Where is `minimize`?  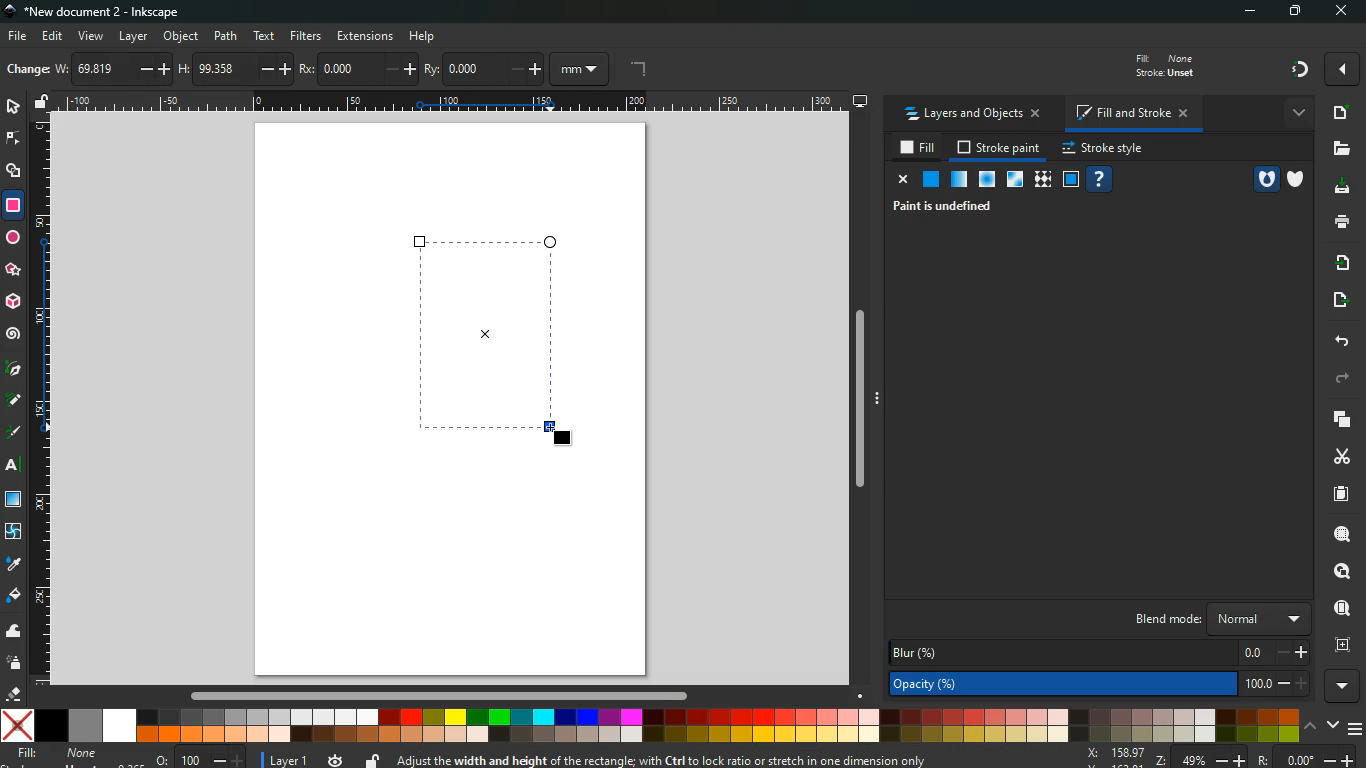 minimize is located at coordinates (1247, 12).